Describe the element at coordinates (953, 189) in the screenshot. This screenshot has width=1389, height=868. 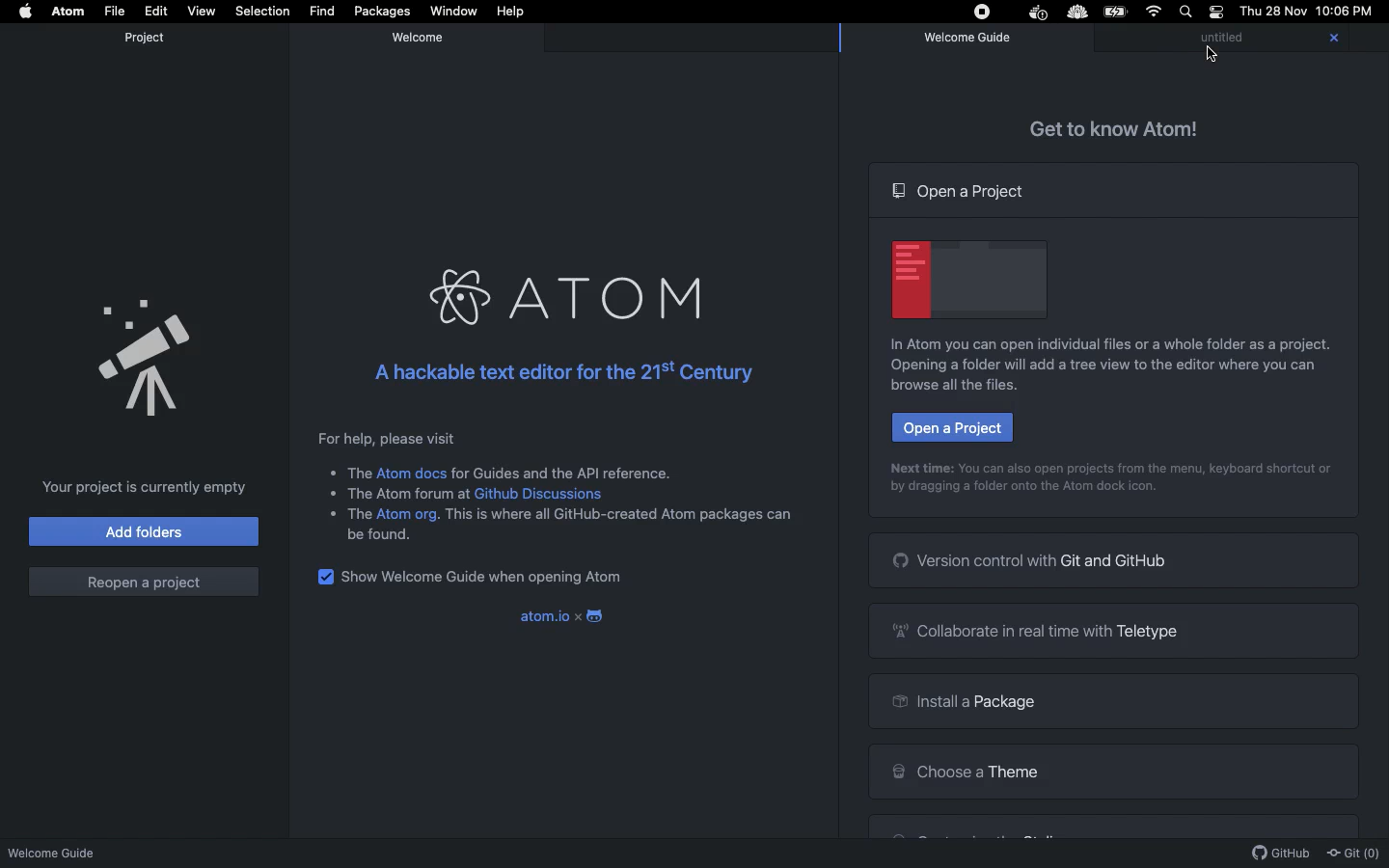
I see `Open a project` at that location.